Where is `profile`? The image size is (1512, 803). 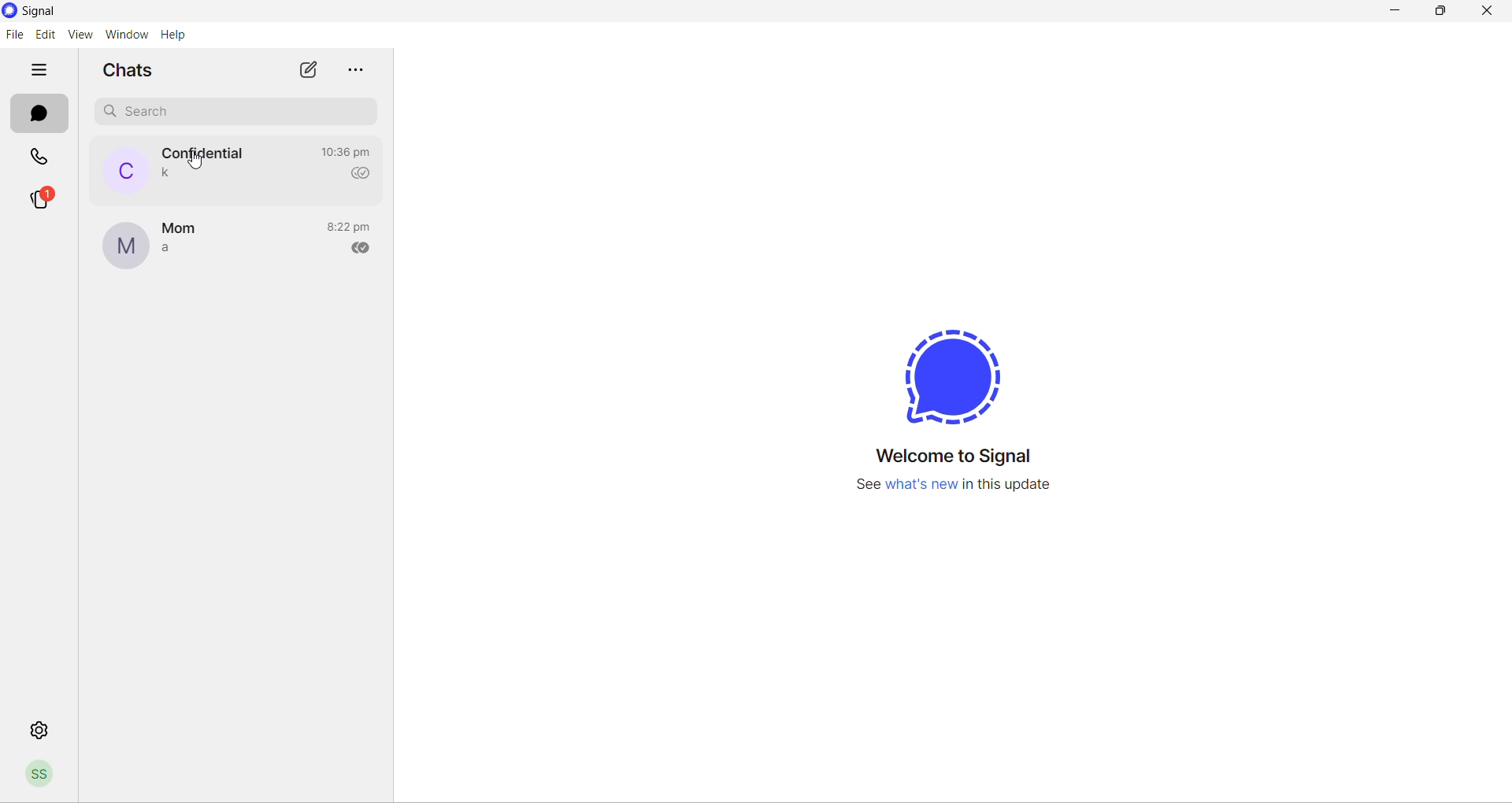 profile is located at coordinates (44, 777).